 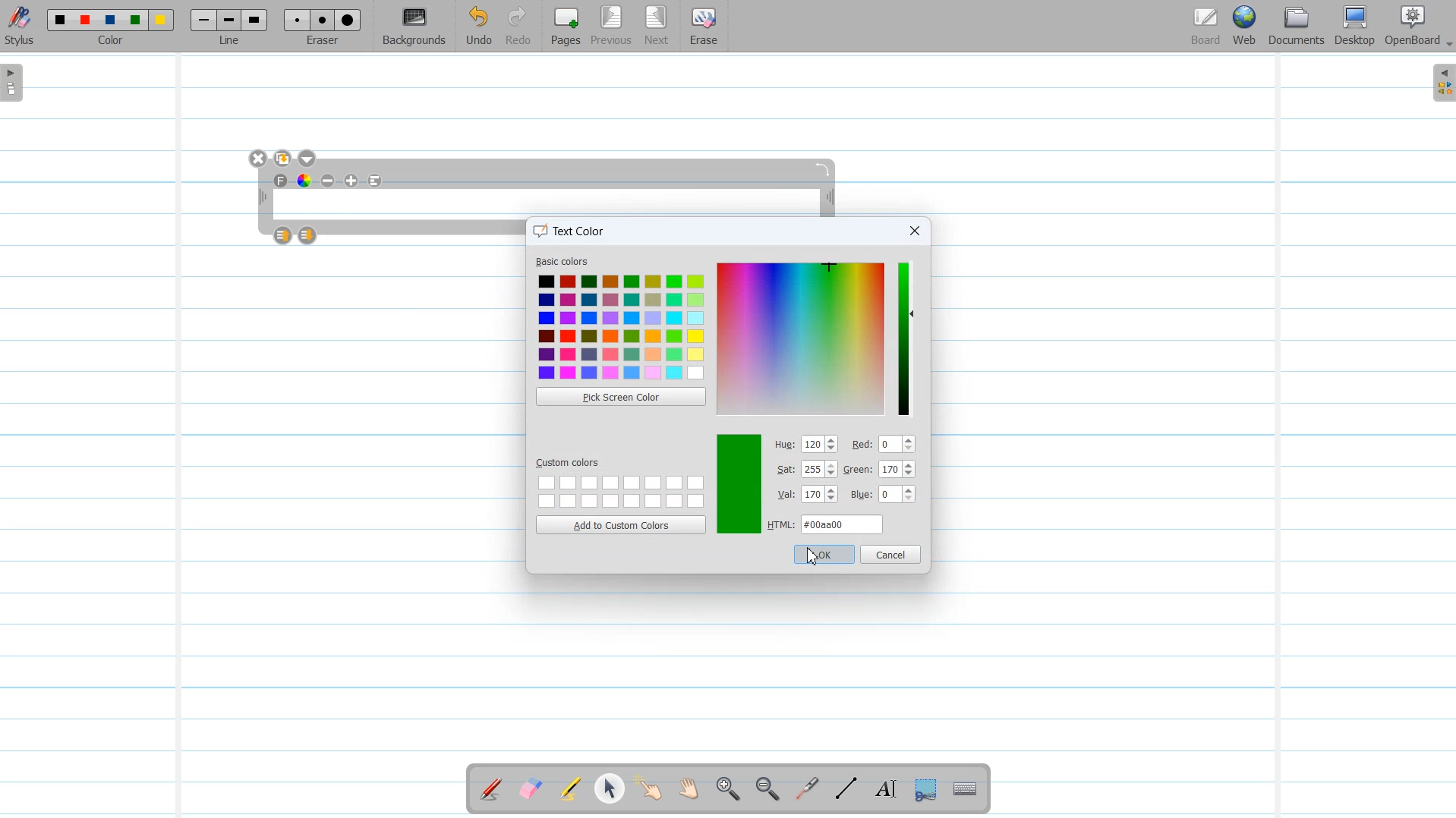 What do you see at coordinates (532, 790) in the screenshot?
I see `Erase Annotation` at bounding box center [532, 790].